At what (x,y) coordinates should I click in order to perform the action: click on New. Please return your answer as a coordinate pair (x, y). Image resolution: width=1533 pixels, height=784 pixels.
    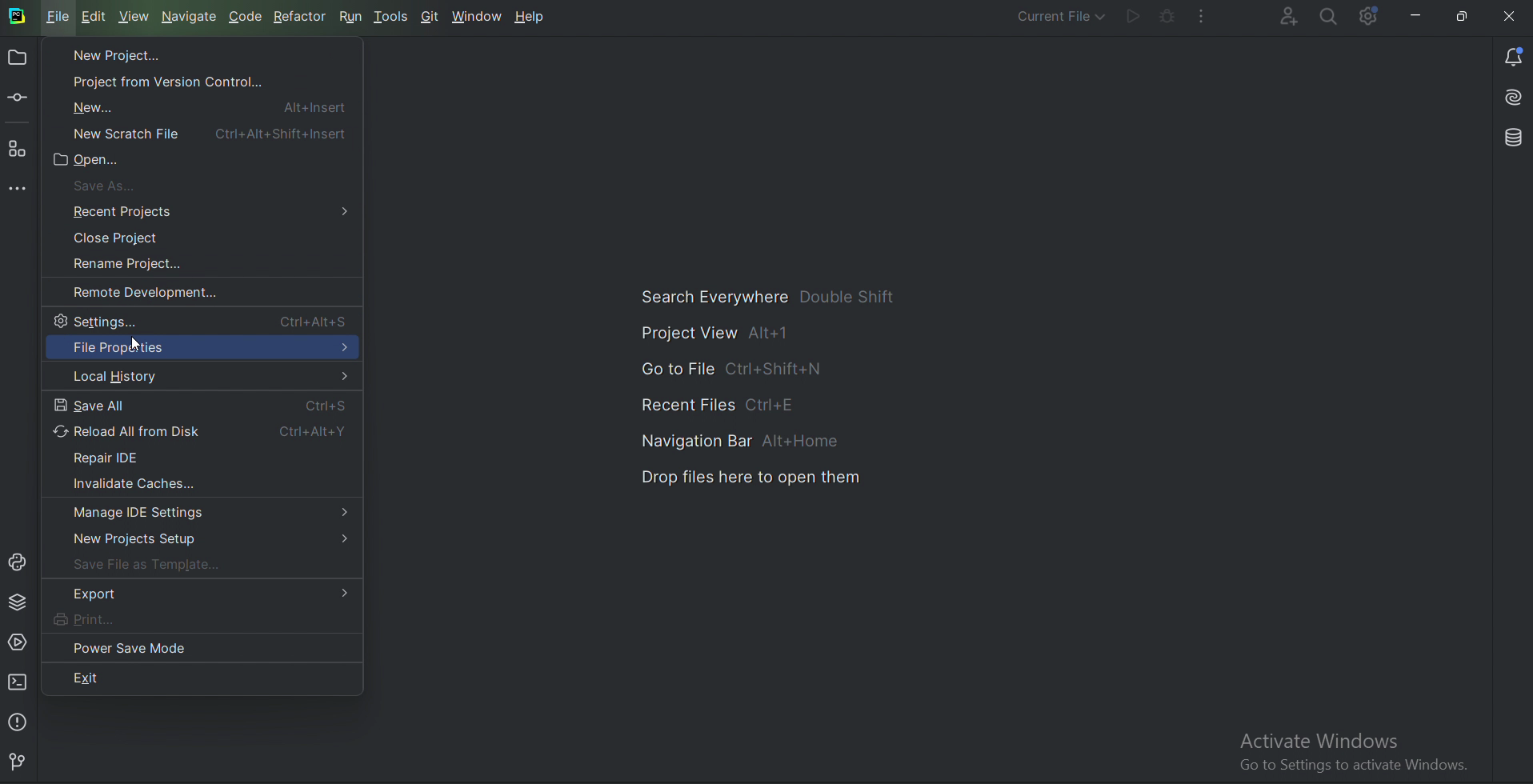
    Looking at the image, I should click on (202, 106).